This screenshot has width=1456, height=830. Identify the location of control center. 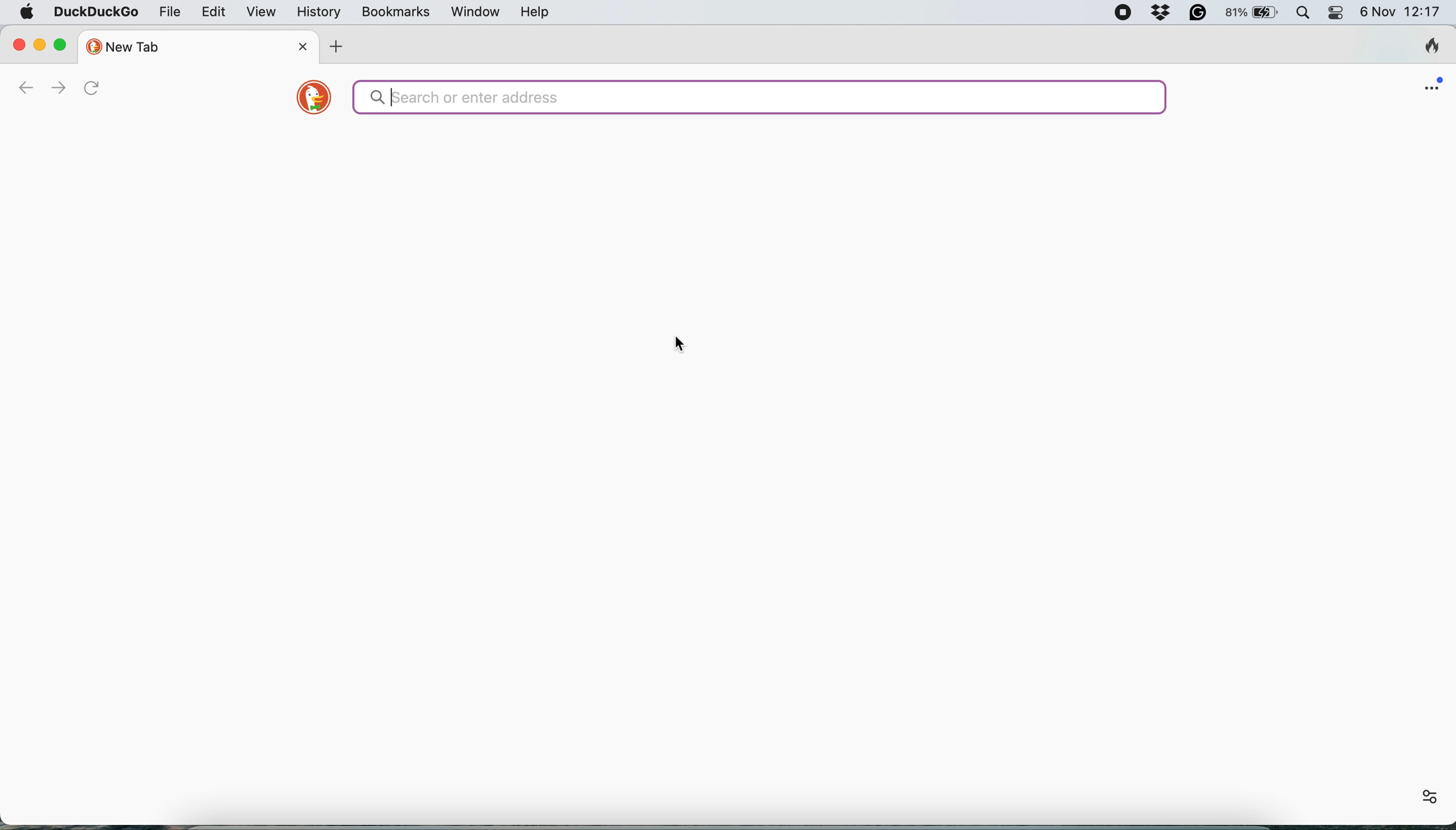
(1335, 14).